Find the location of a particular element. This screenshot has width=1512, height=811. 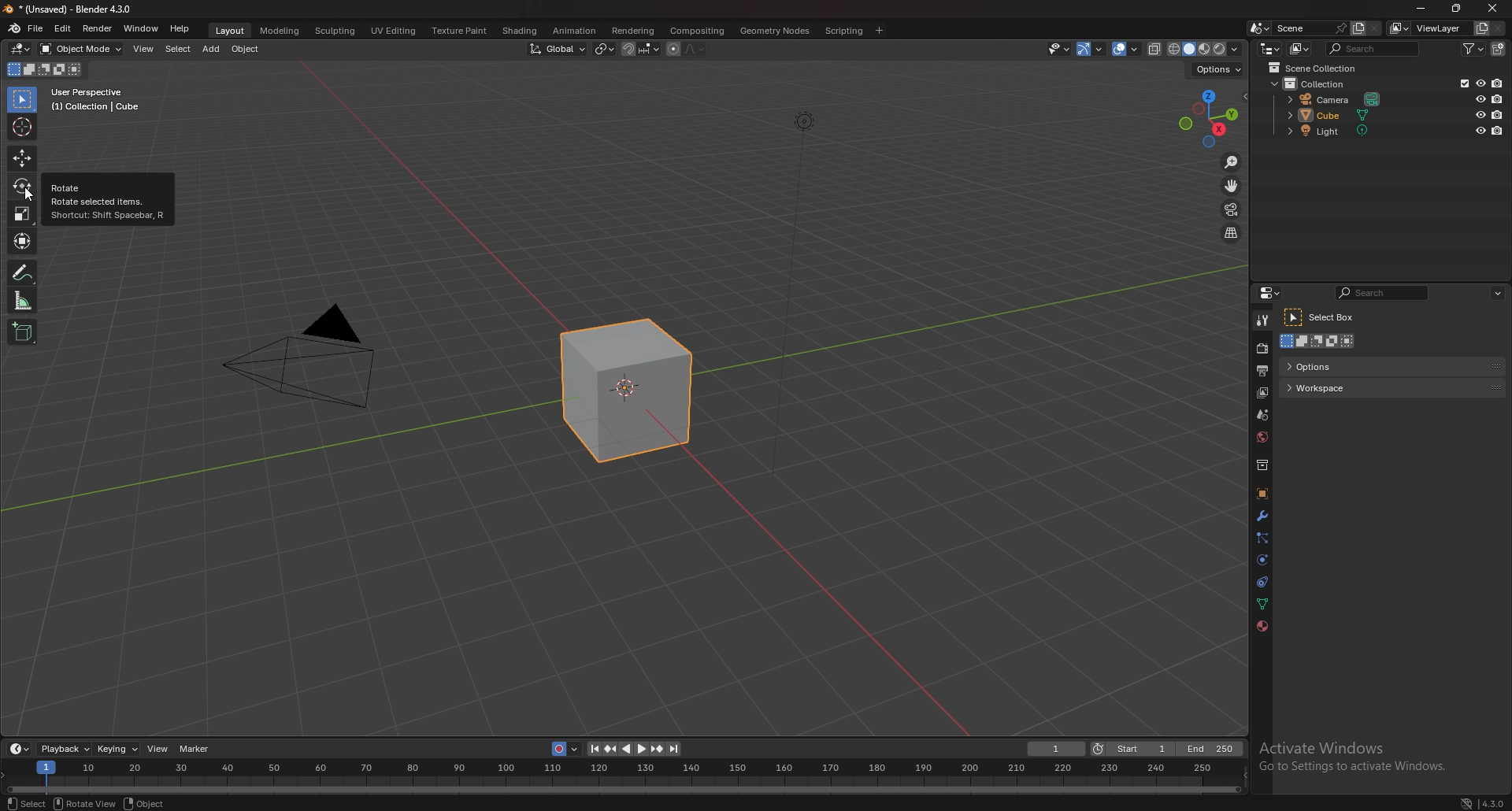

transform pivot point is located at coordinates (606, 48).